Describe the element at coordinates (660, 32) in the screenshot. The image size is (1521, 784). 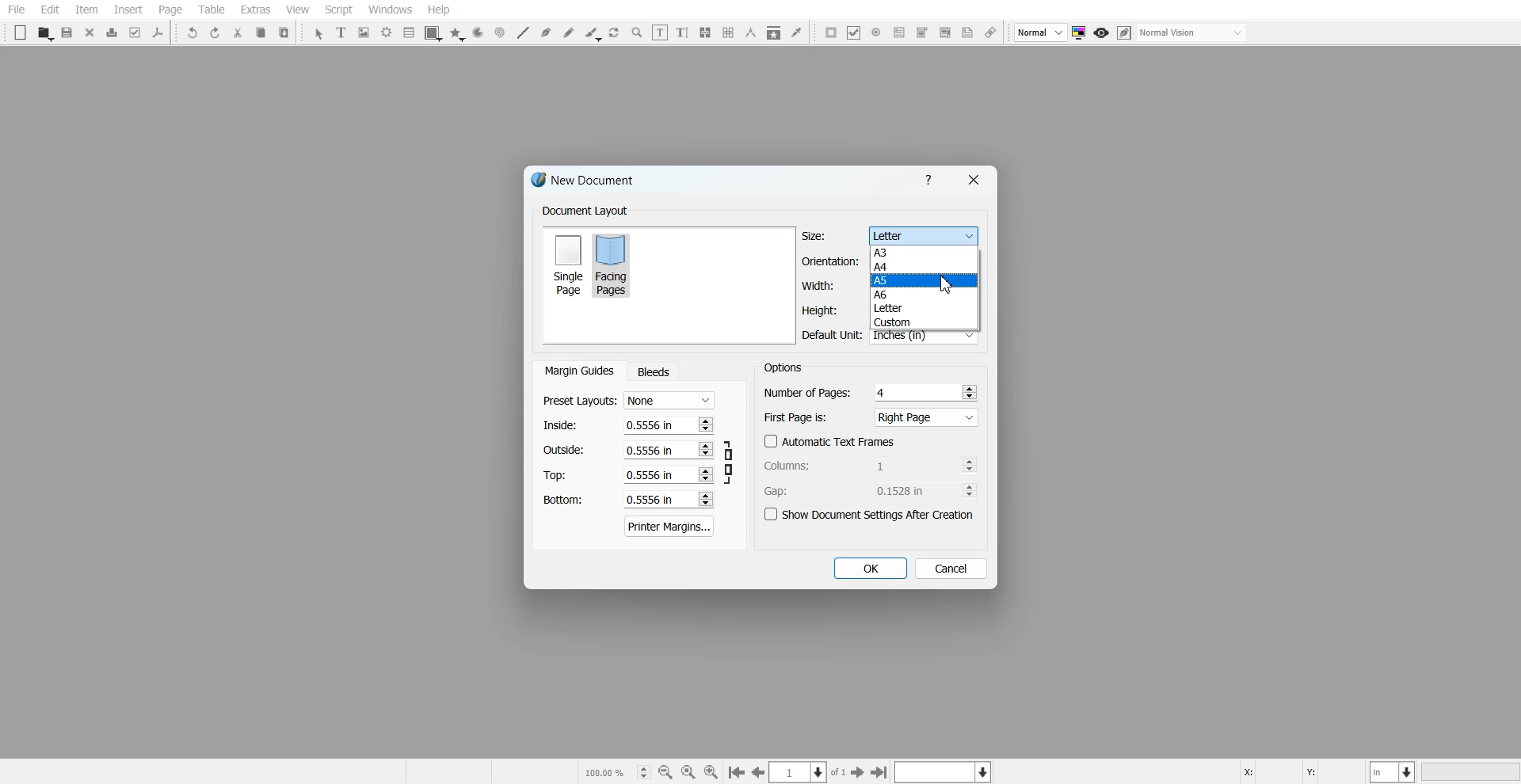
I see `Edit contents of frame` at that location.